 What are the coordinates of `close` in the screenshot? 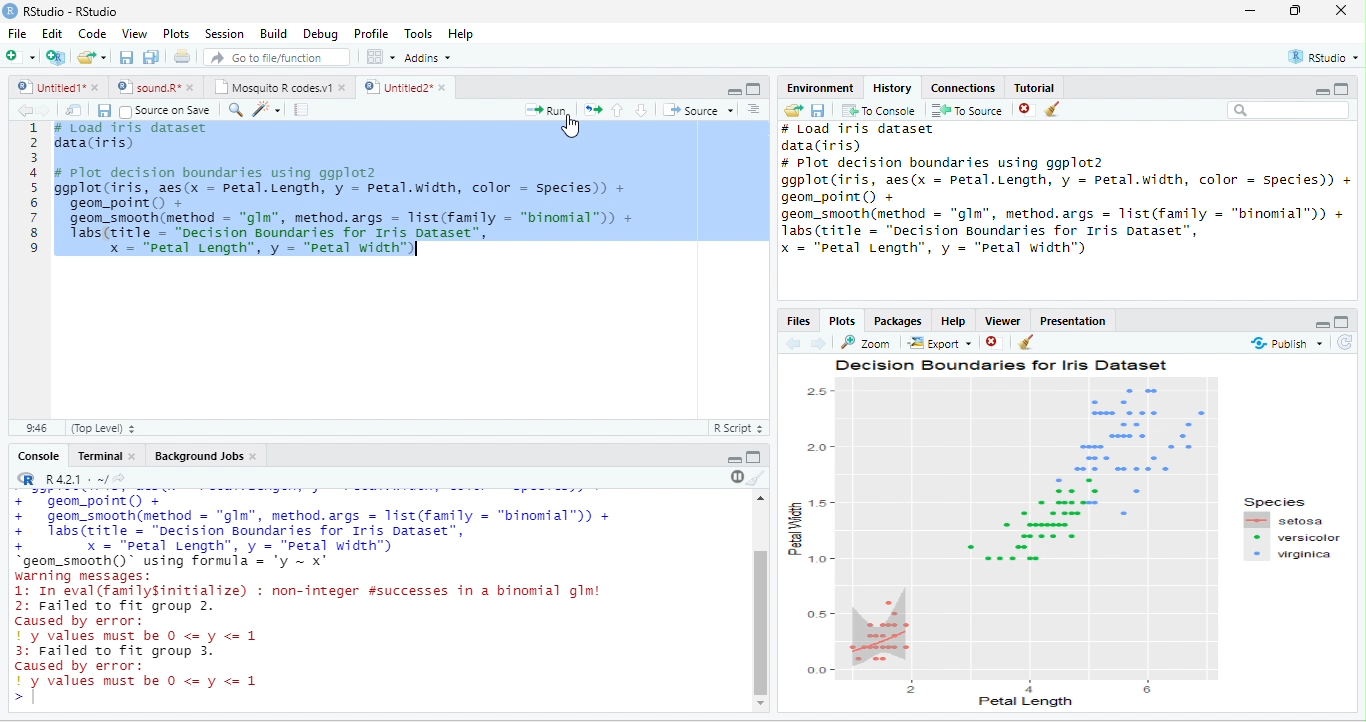 It's located at (254, 456).